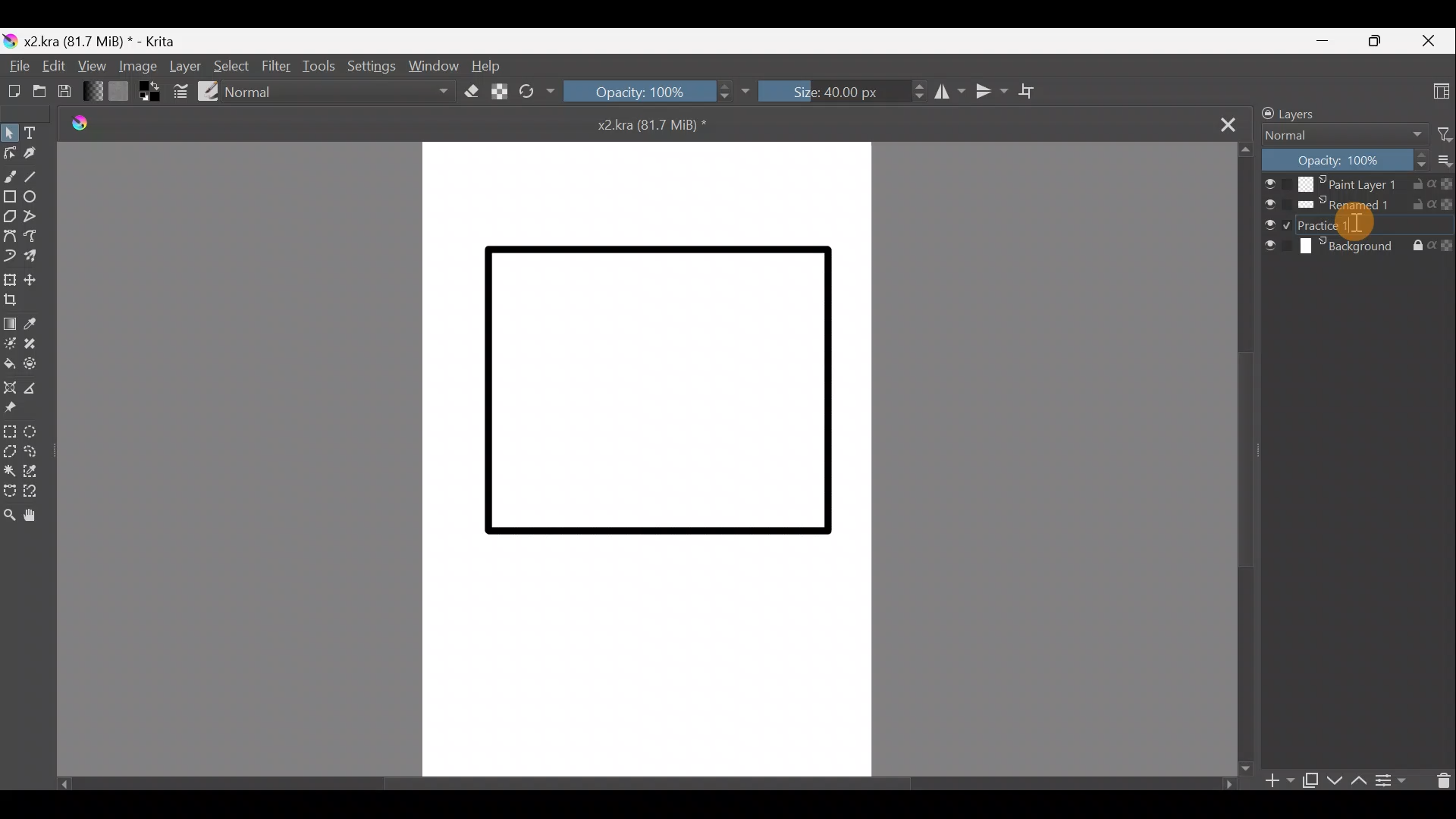 Image resolution: width=1456 pixels, height=819 pixels. Describe the element at coordinates (10, 345) in the screenshot. I see `Colourise mask tool` at that location.